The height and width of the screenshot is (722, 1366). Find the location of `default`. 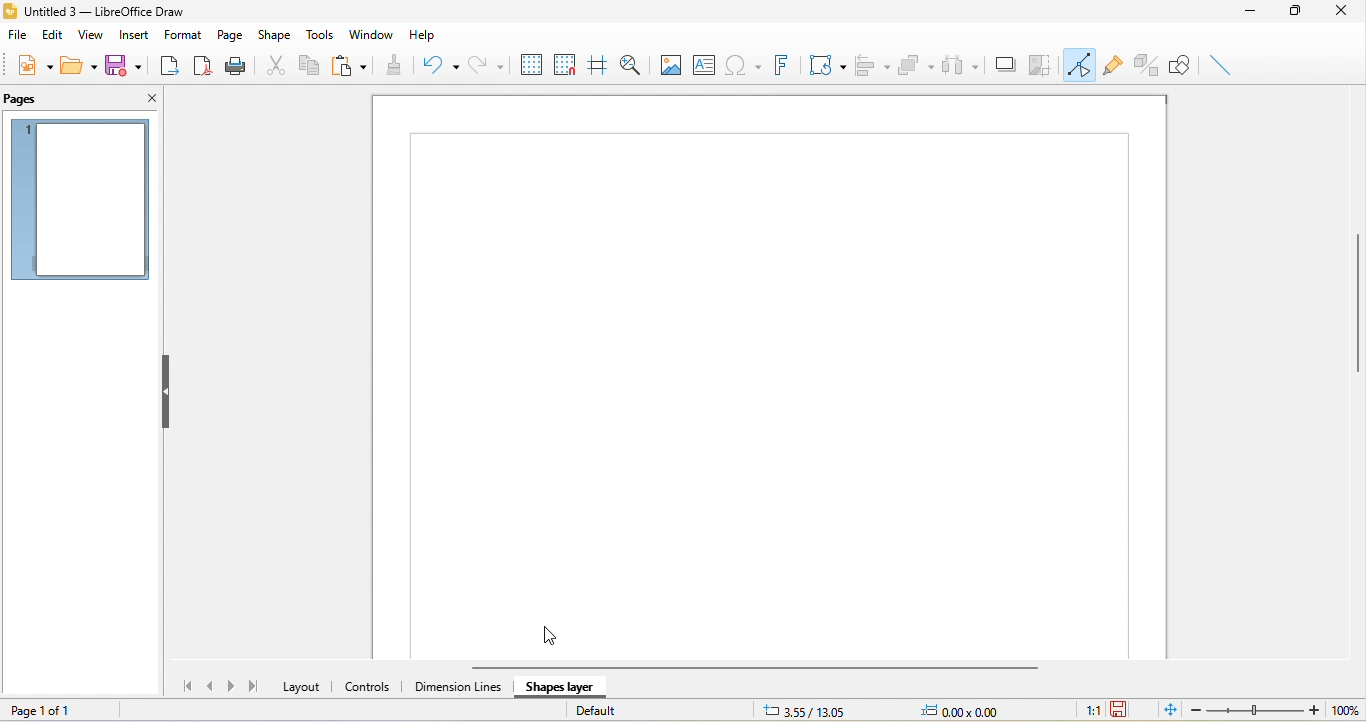

default is located at coordinates (622, 710).